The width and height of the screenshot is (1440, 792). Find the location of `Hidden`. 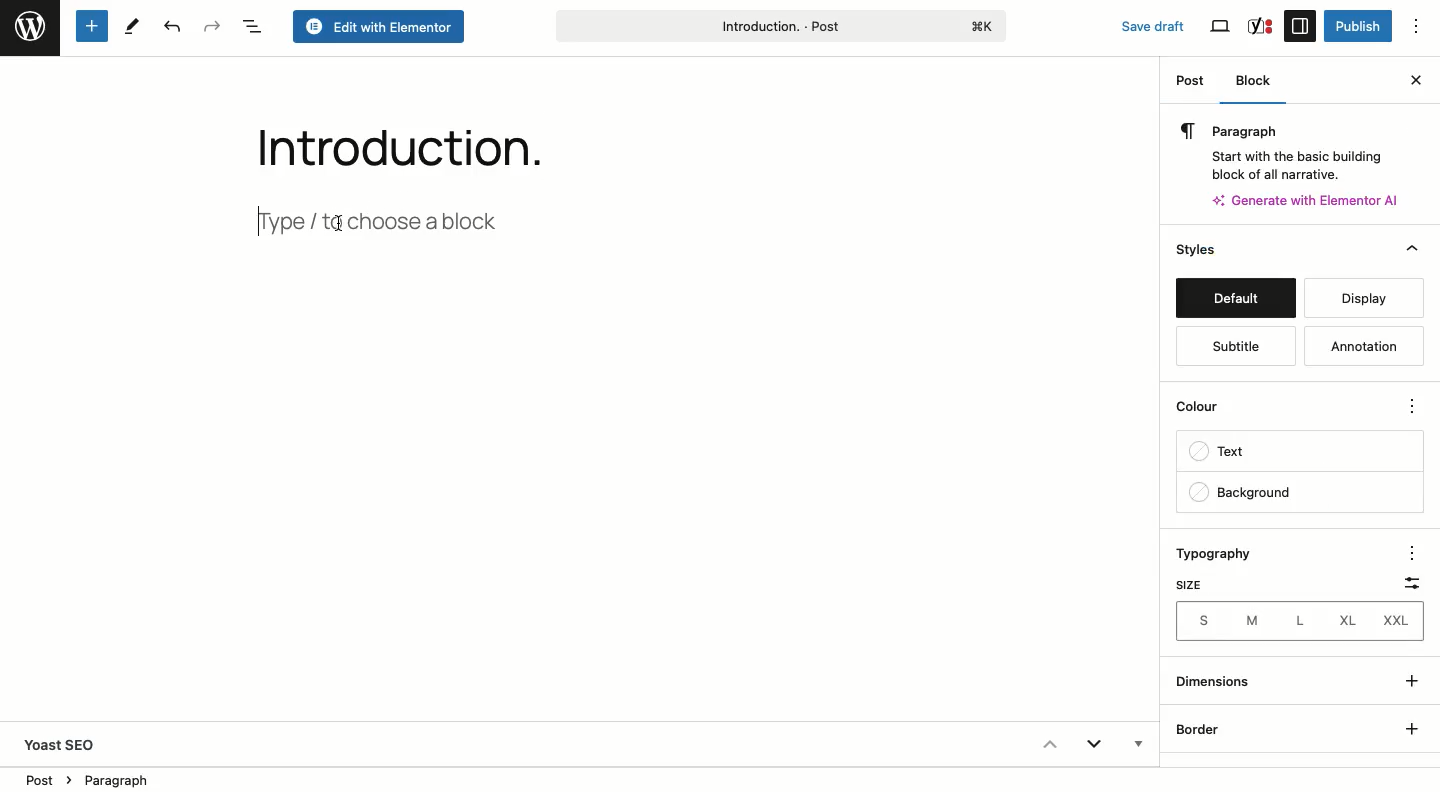

Hidden is located at coordinates (1136, 746).